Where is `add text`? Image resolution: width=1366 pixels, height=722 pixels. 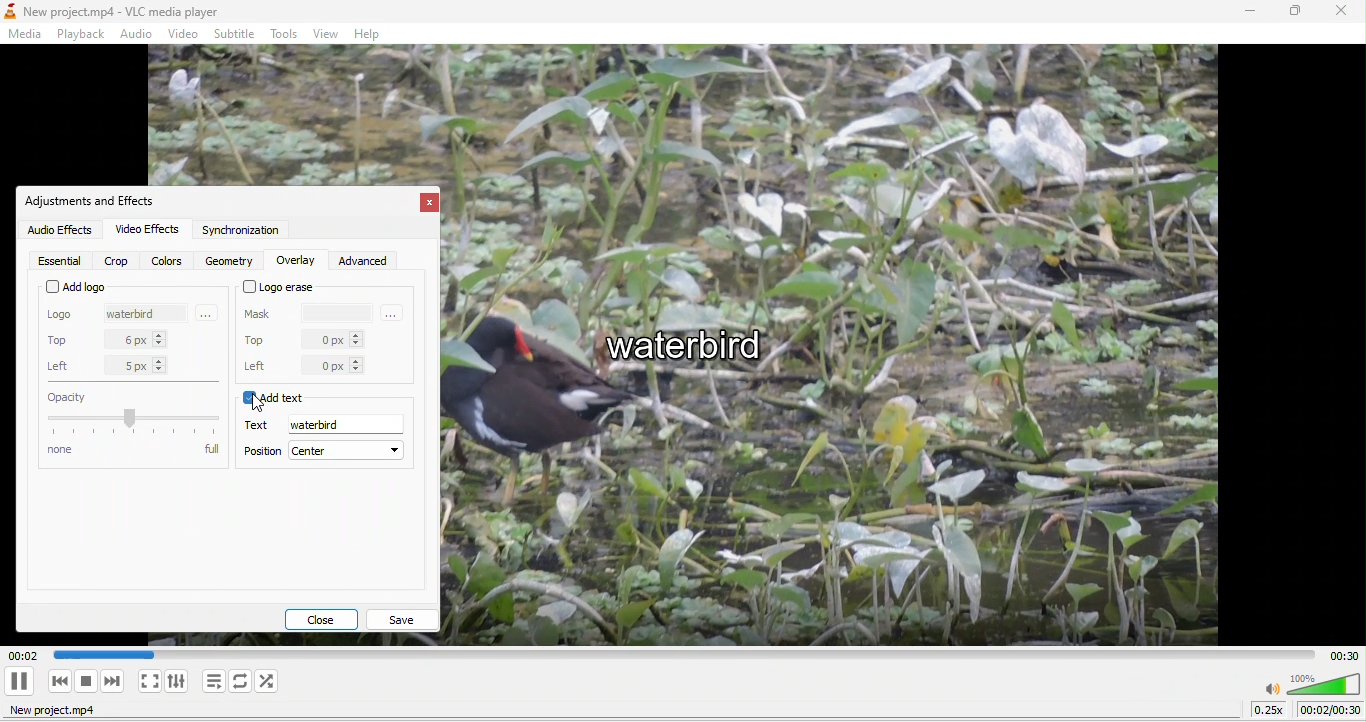 add text is located at coordinates (279, 398).